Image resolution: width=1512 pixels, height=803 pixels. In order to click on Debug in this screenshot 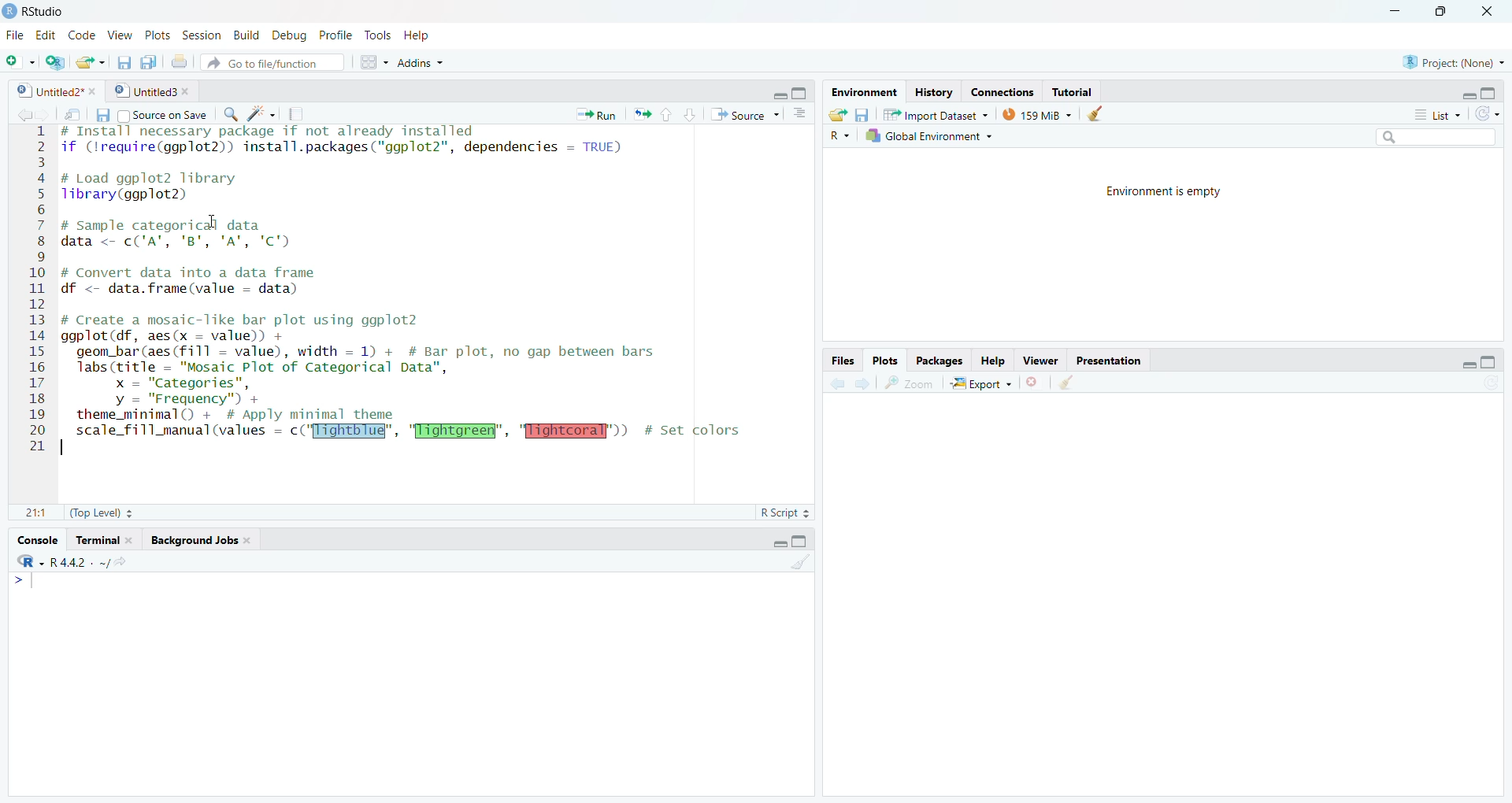, I will do `click(288, 37)`.